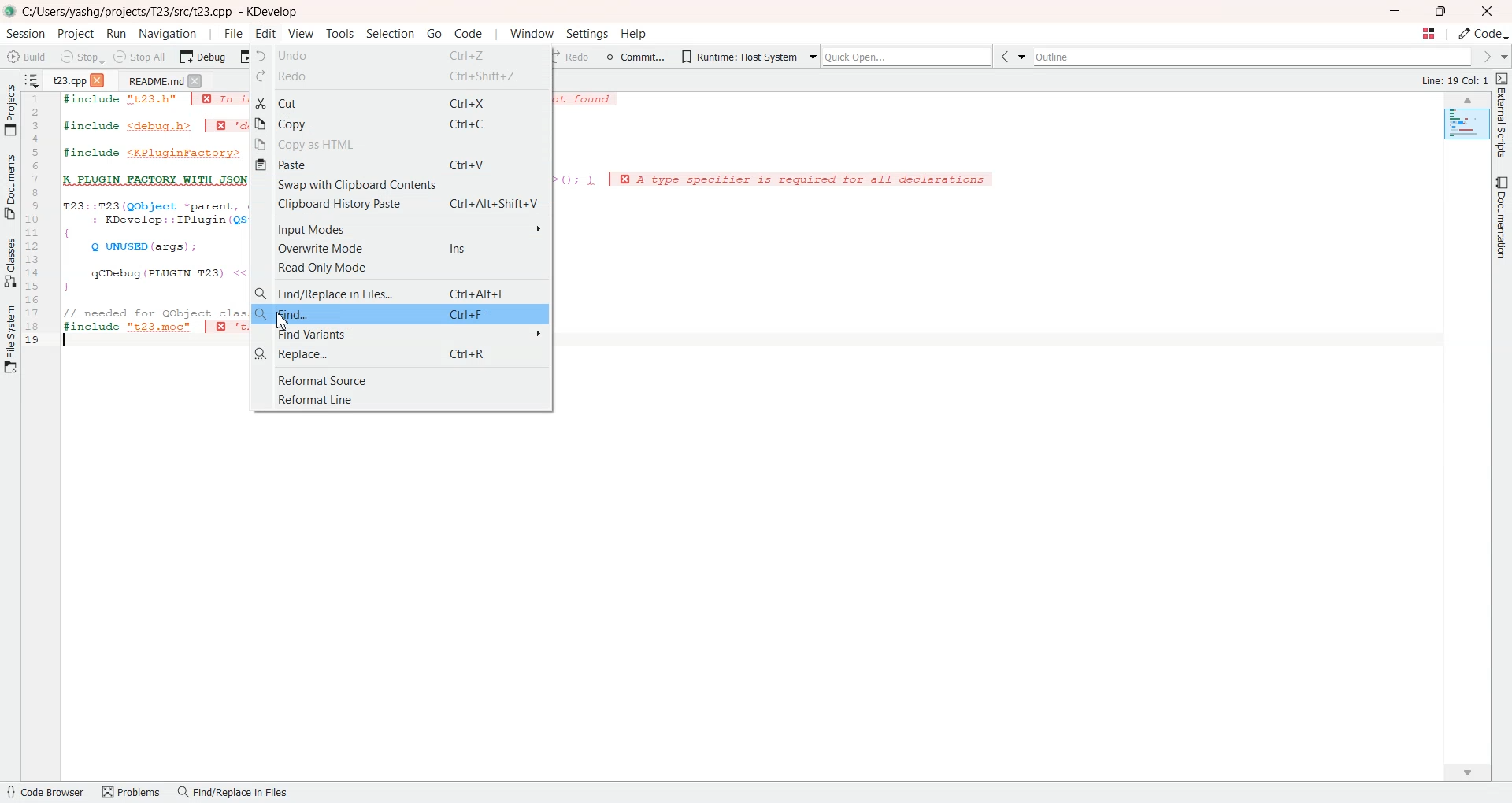 This screenshot has width=1512, height=803. Describe the element at coordinates (152, 80) in the screenshot. I see `Read me folder` at that location.